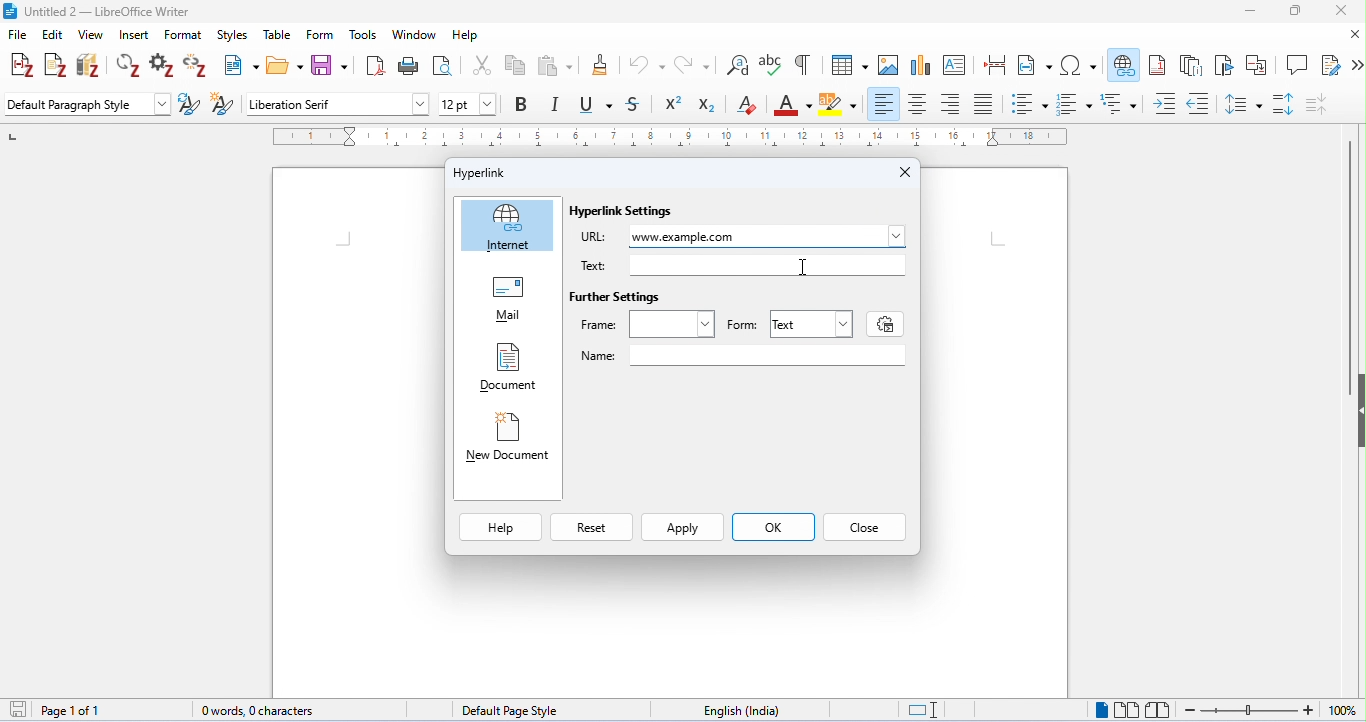 The width and height of the screenshot is (1366, 722). I want to click on toggle print preview, so click(443, 65).